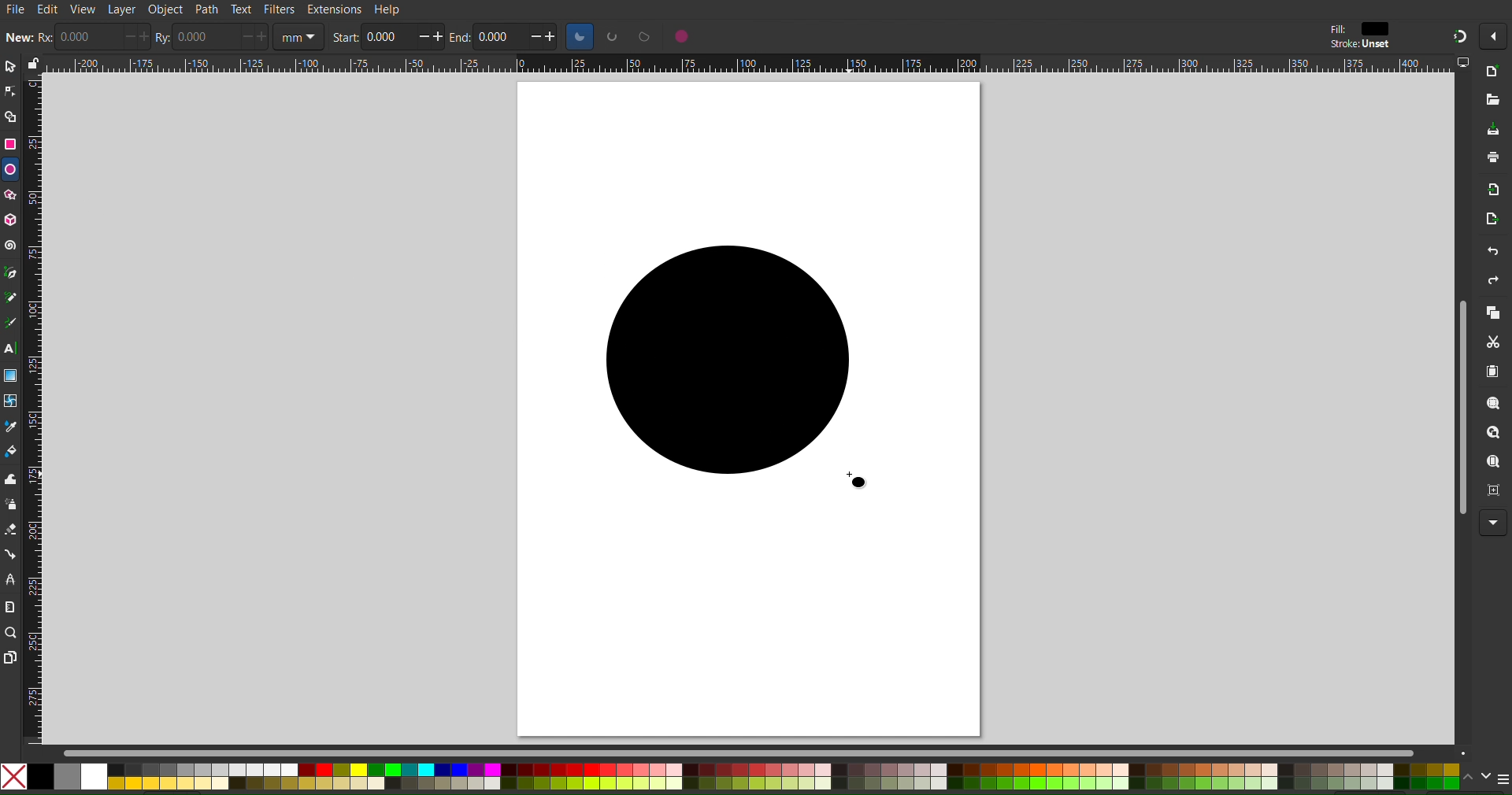  What do you see at coordinates (643, 36) in the screenshot?
I see `circle options` at bounding box center [643, 36].